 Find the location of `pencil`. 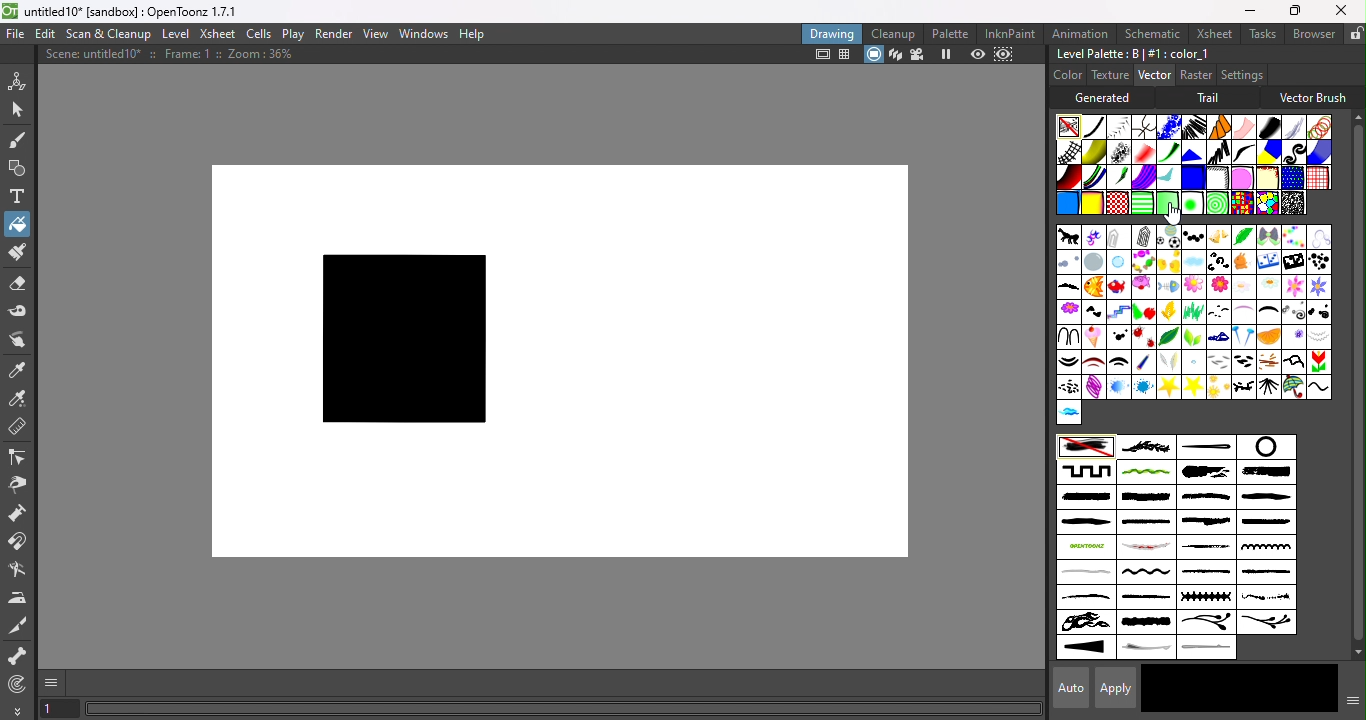

pencil is located at coordinates (1141, 363).